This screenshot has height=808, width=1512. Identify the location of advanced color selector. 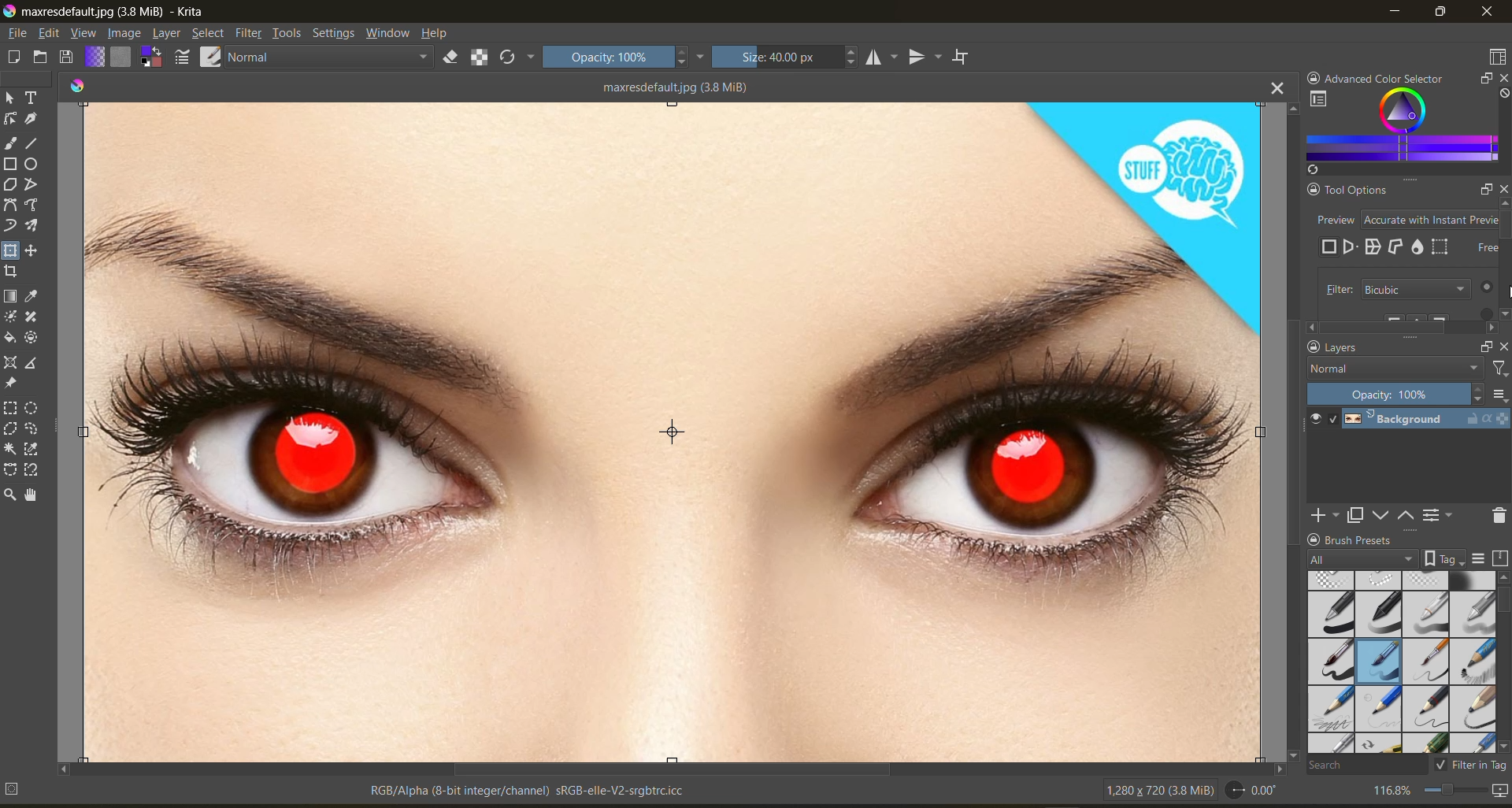
(1399, 131).